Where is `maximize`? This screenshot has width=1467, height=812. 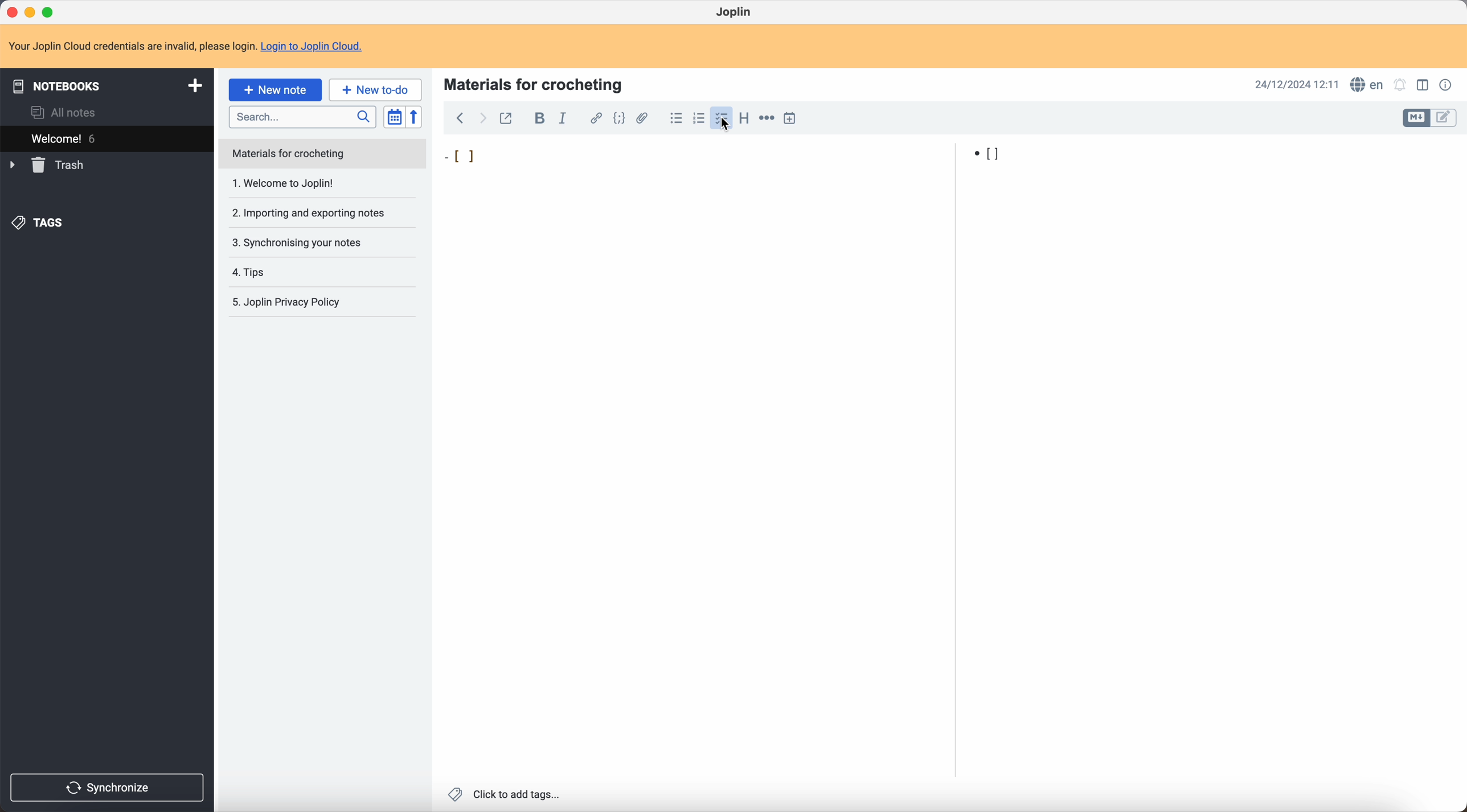
maximize is located at coordinates (51, 13).